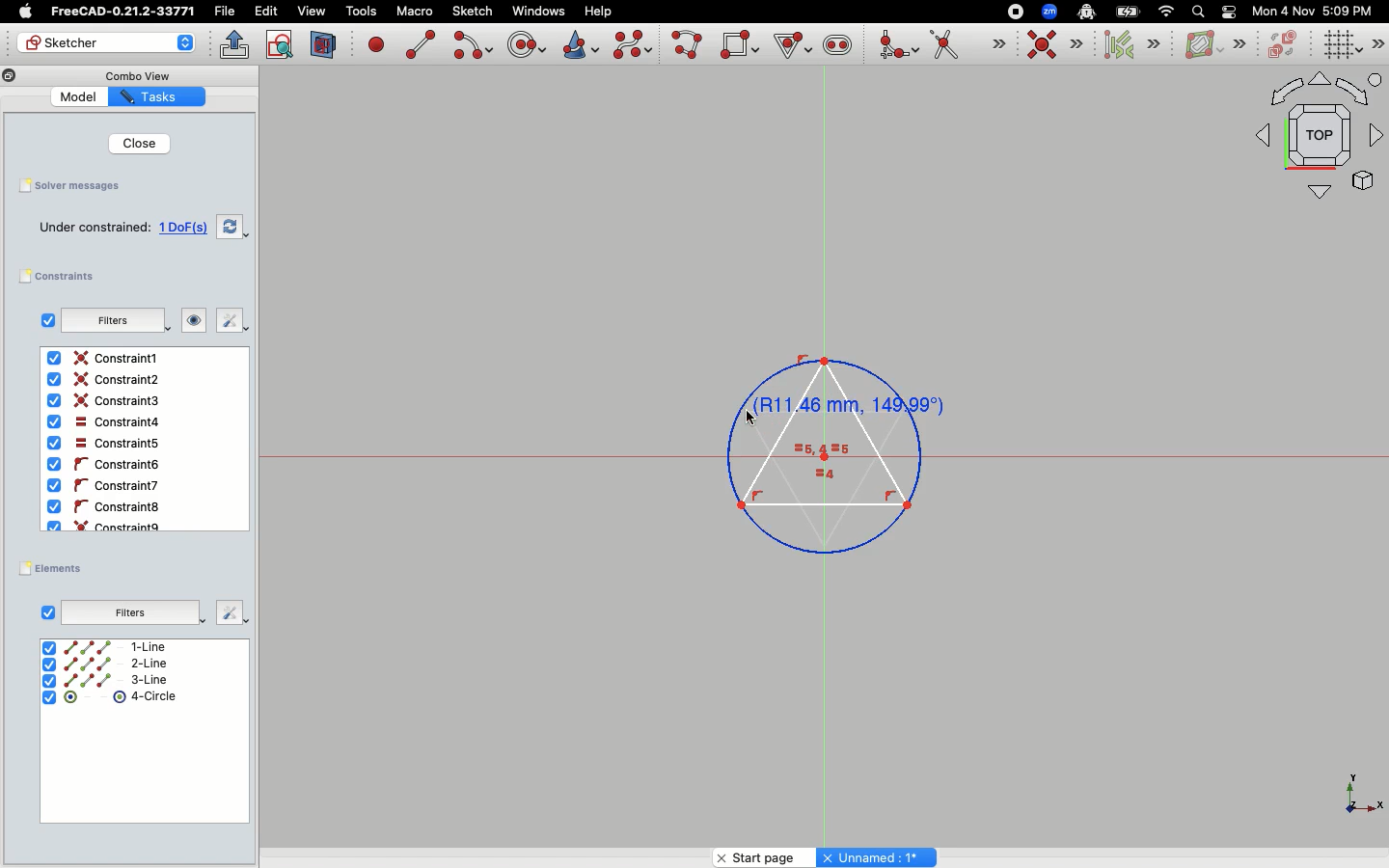  What do you see at coordinates (123, 12) in the screenshot?
I see `FreeCAD-0.21.2-33771` at bounding box center [123, 12].